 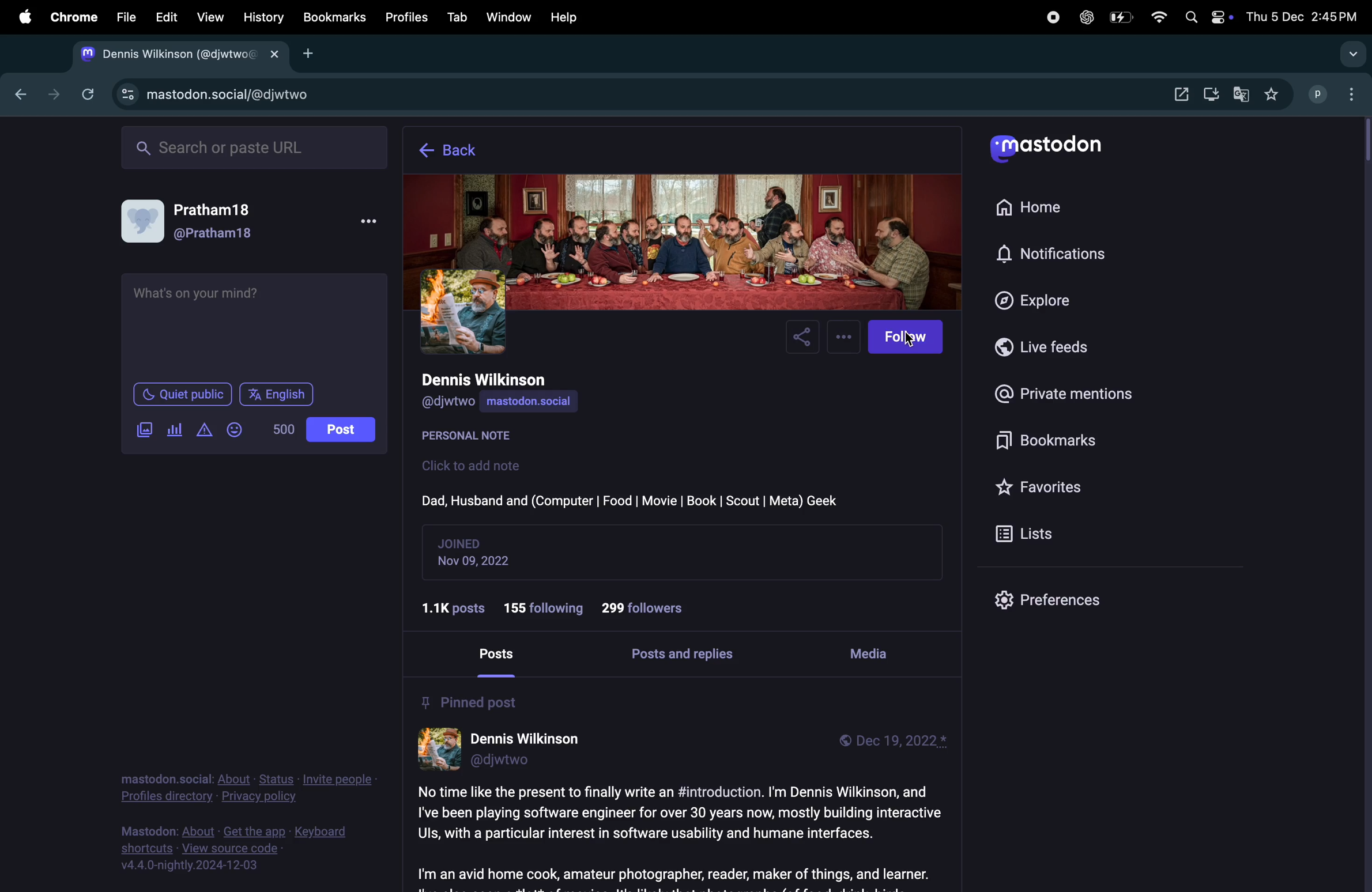 What do you see at coordinates (1157, 18) in the screenshot?
I see `wifi` at bounding box center [1157, 18].